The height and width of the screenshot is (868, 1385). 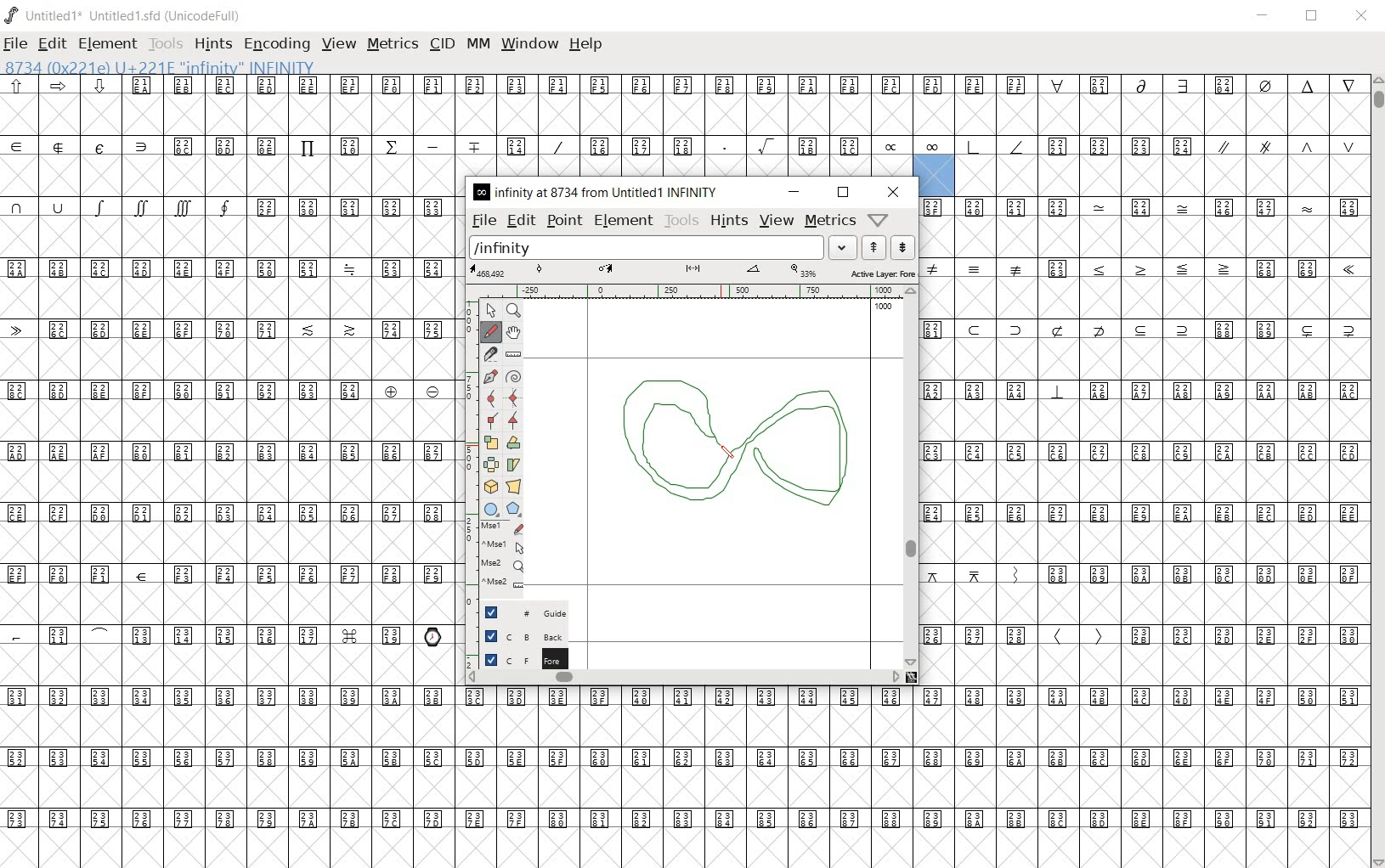 I want to click on metrics, so click(x=829, y=221).